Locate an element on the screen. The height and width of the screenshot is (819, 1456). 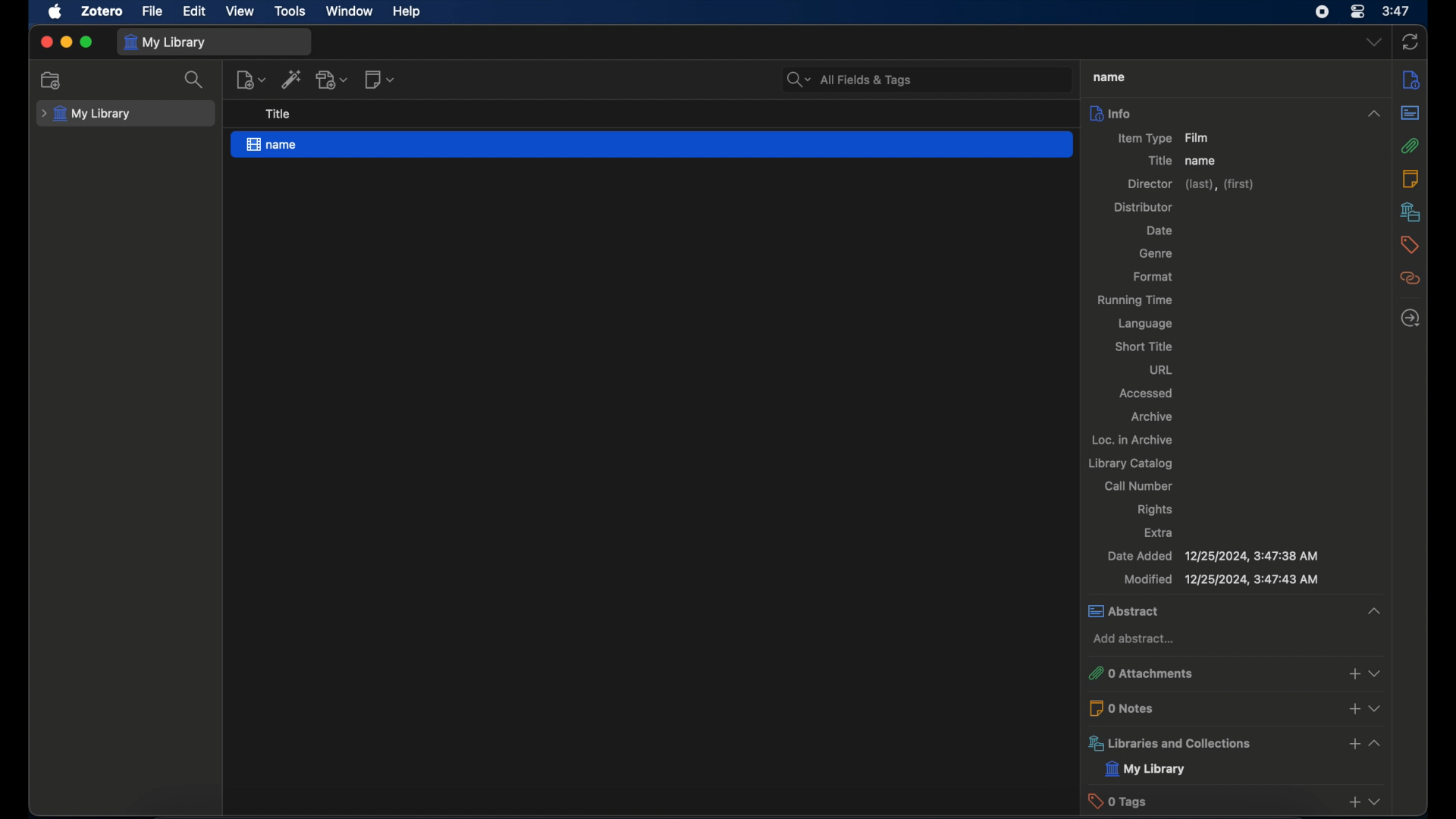
maximize is located at coordinates (87, 42).